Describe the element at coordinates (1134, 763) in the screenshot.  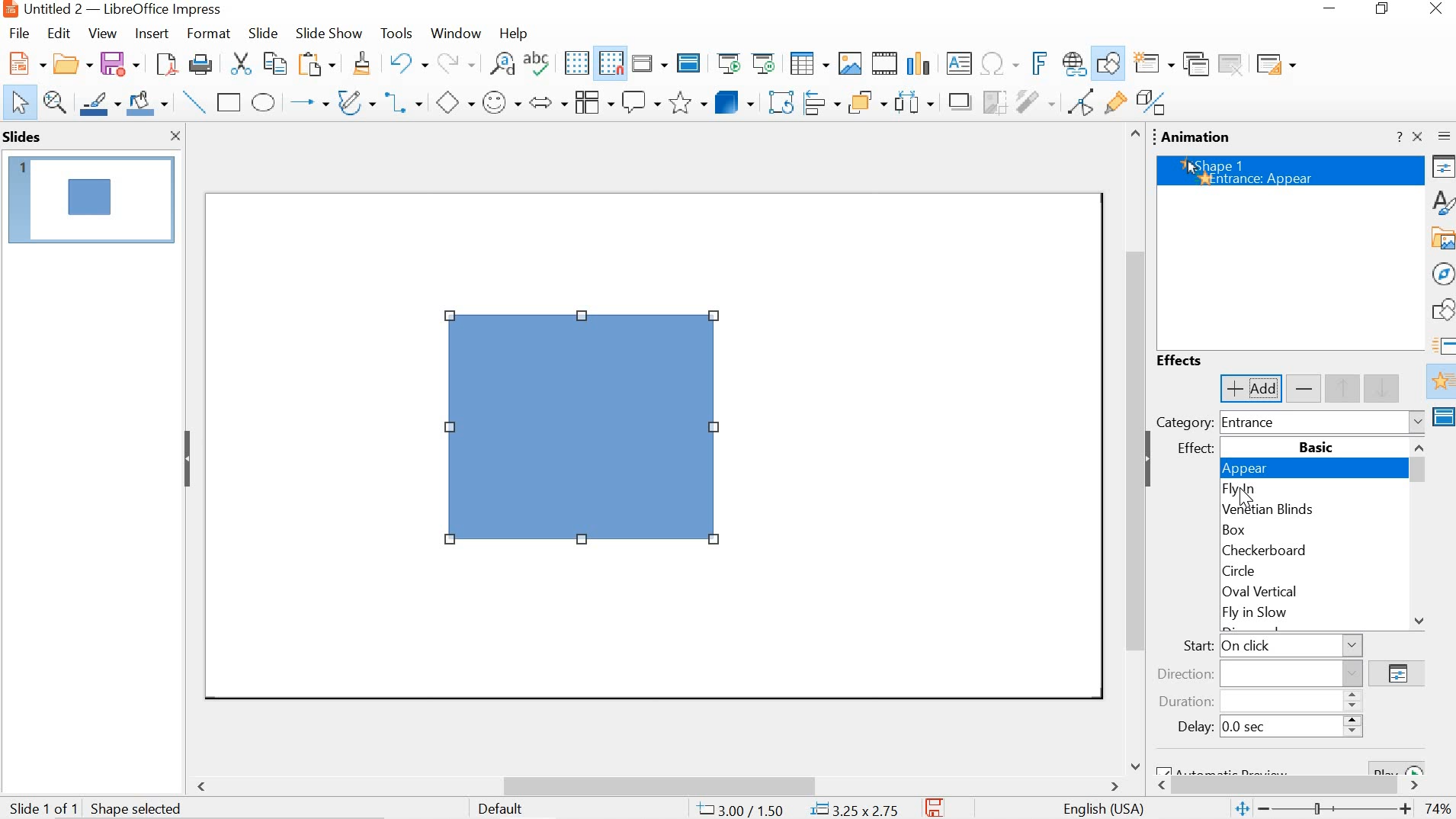
I see `Move down` at that location.